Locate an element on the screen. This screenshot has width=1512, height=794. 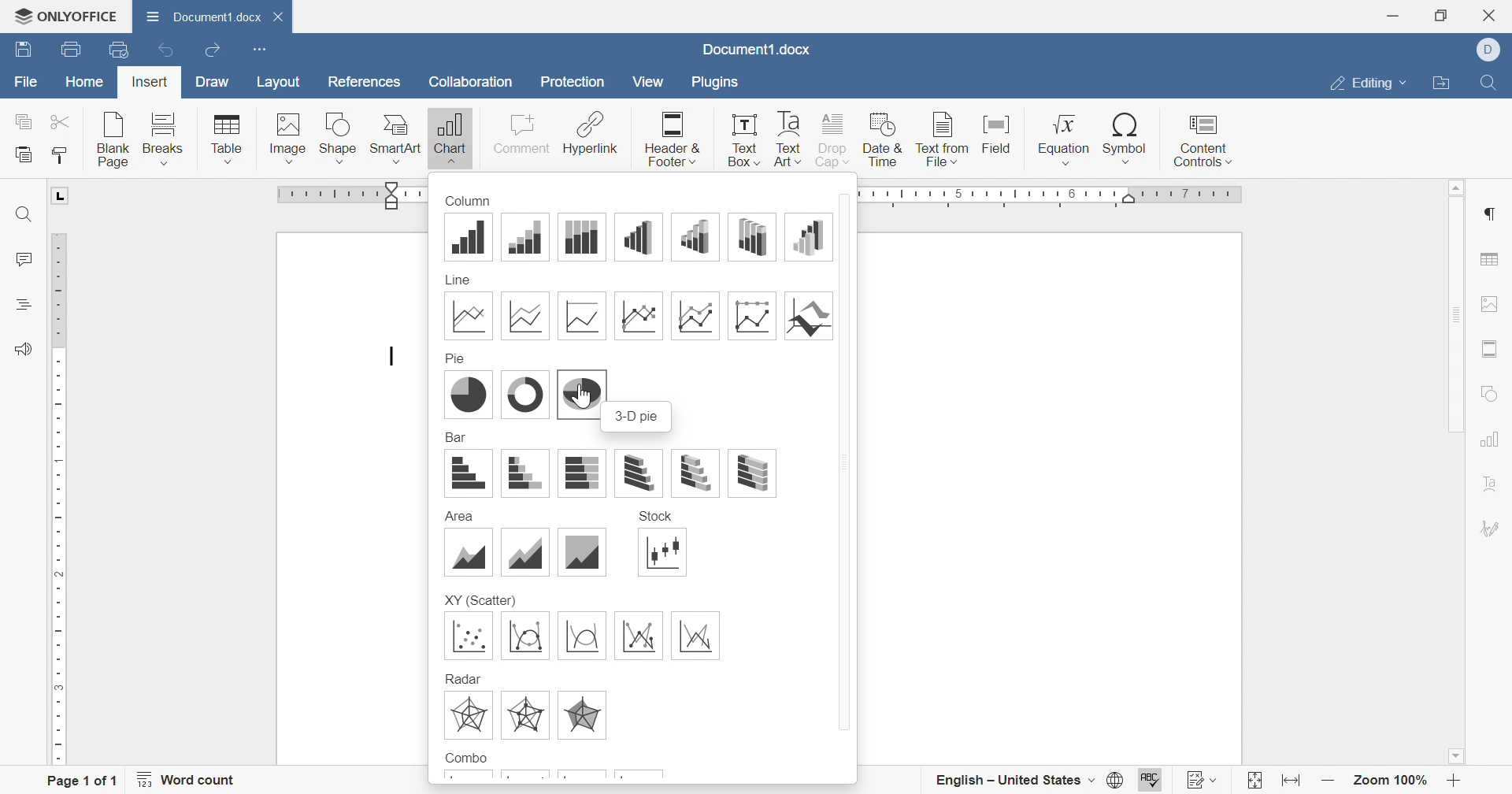
100% stacked column is located at coordinates (581, 237).